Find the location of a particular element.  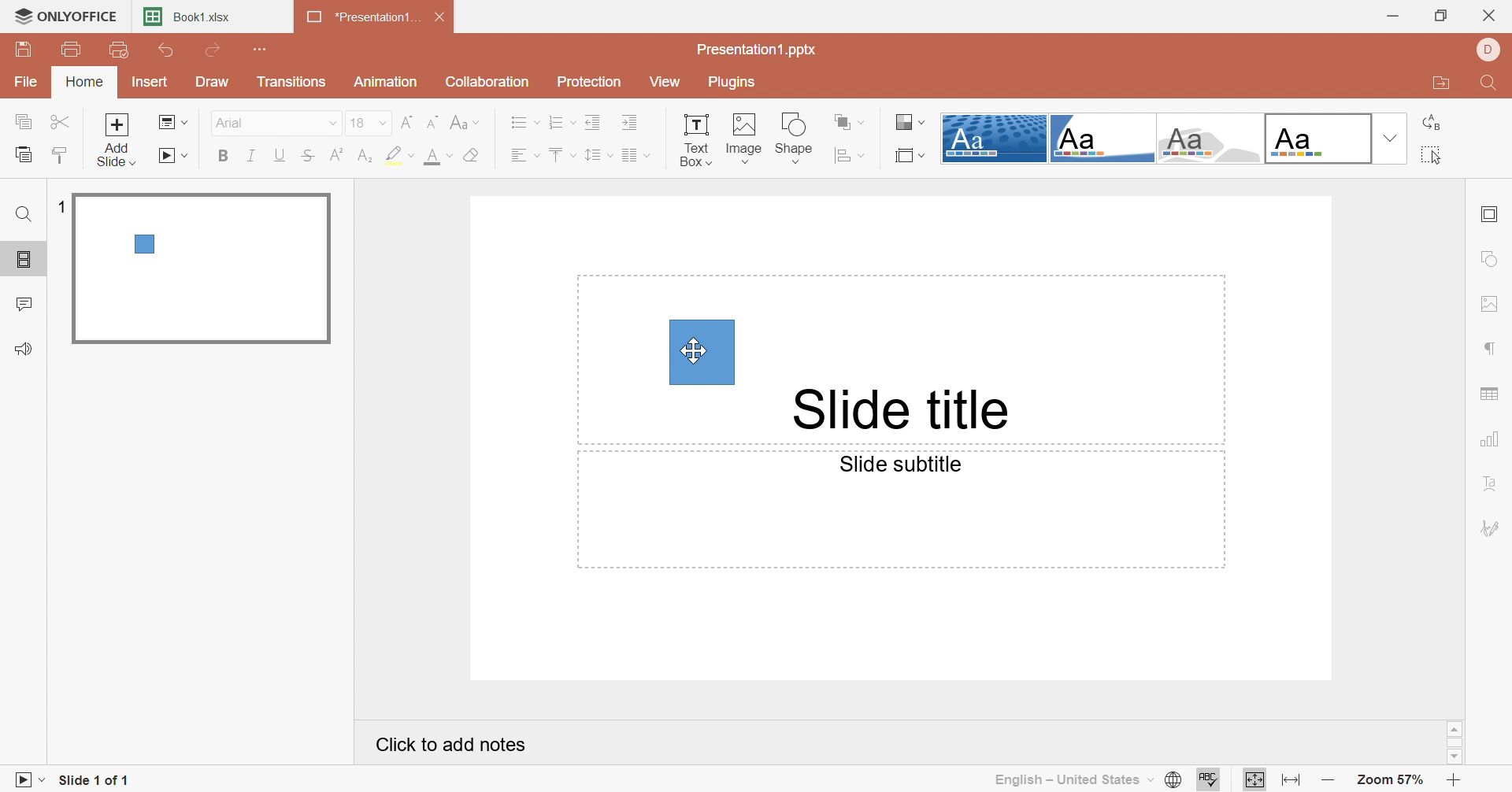

Draw is located at coordinates (212, 83).